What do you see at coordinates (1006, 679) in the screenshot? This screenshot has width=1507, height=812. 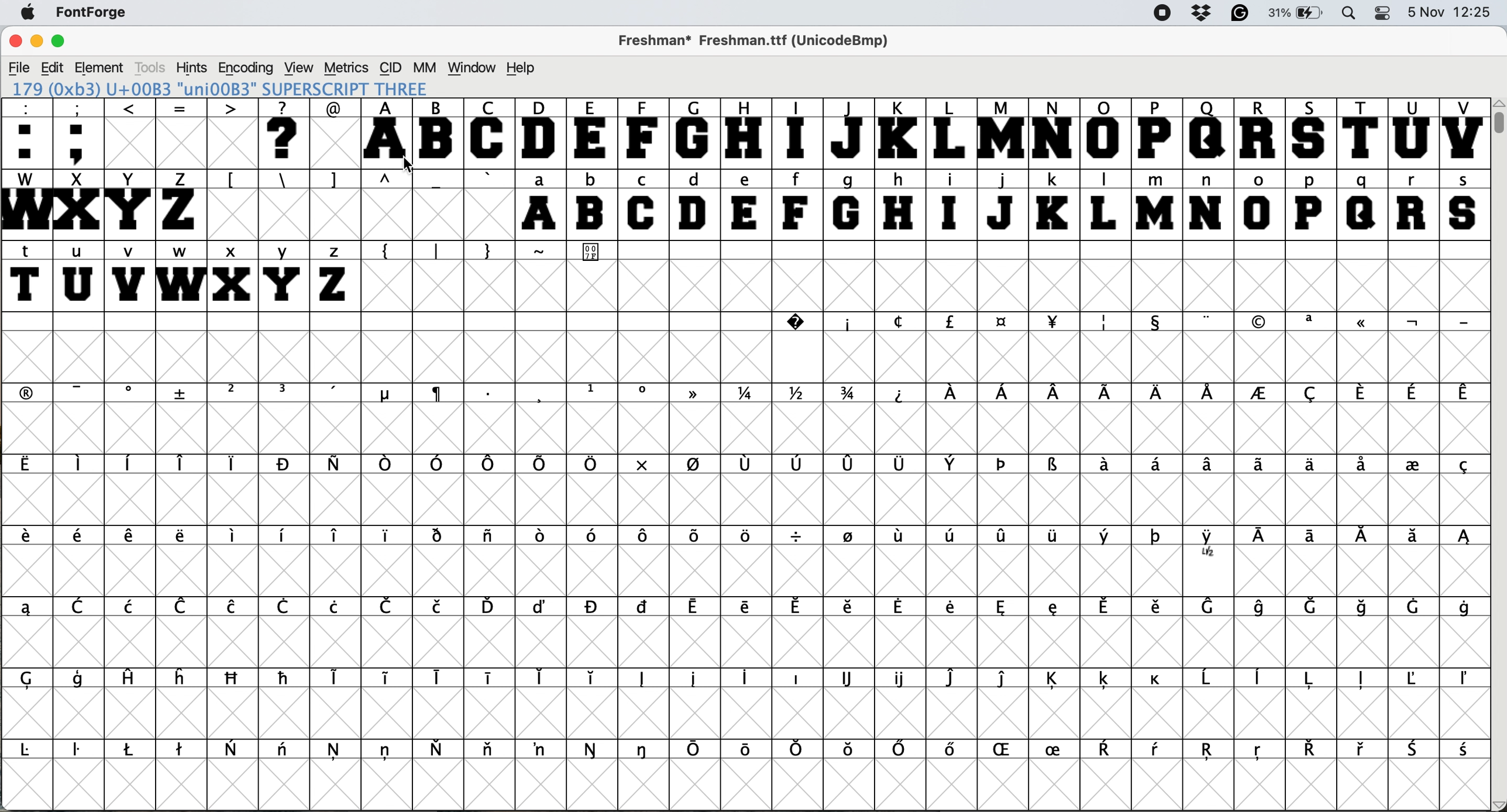 I see `symbol` at bounding box center [1006, 679].